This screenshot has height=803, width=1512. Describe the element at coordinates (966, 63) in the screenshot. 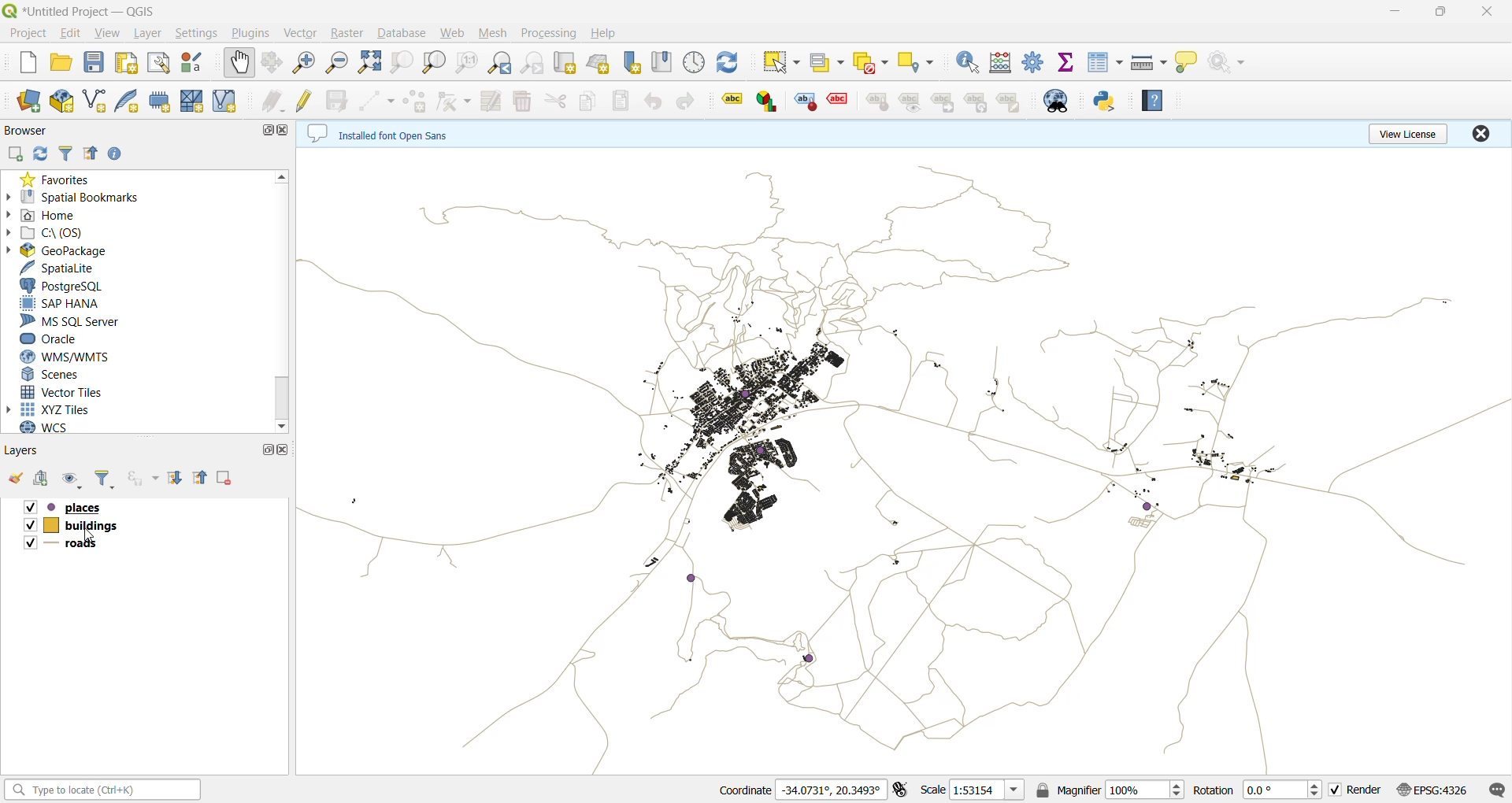

I see `identify features` at that location.